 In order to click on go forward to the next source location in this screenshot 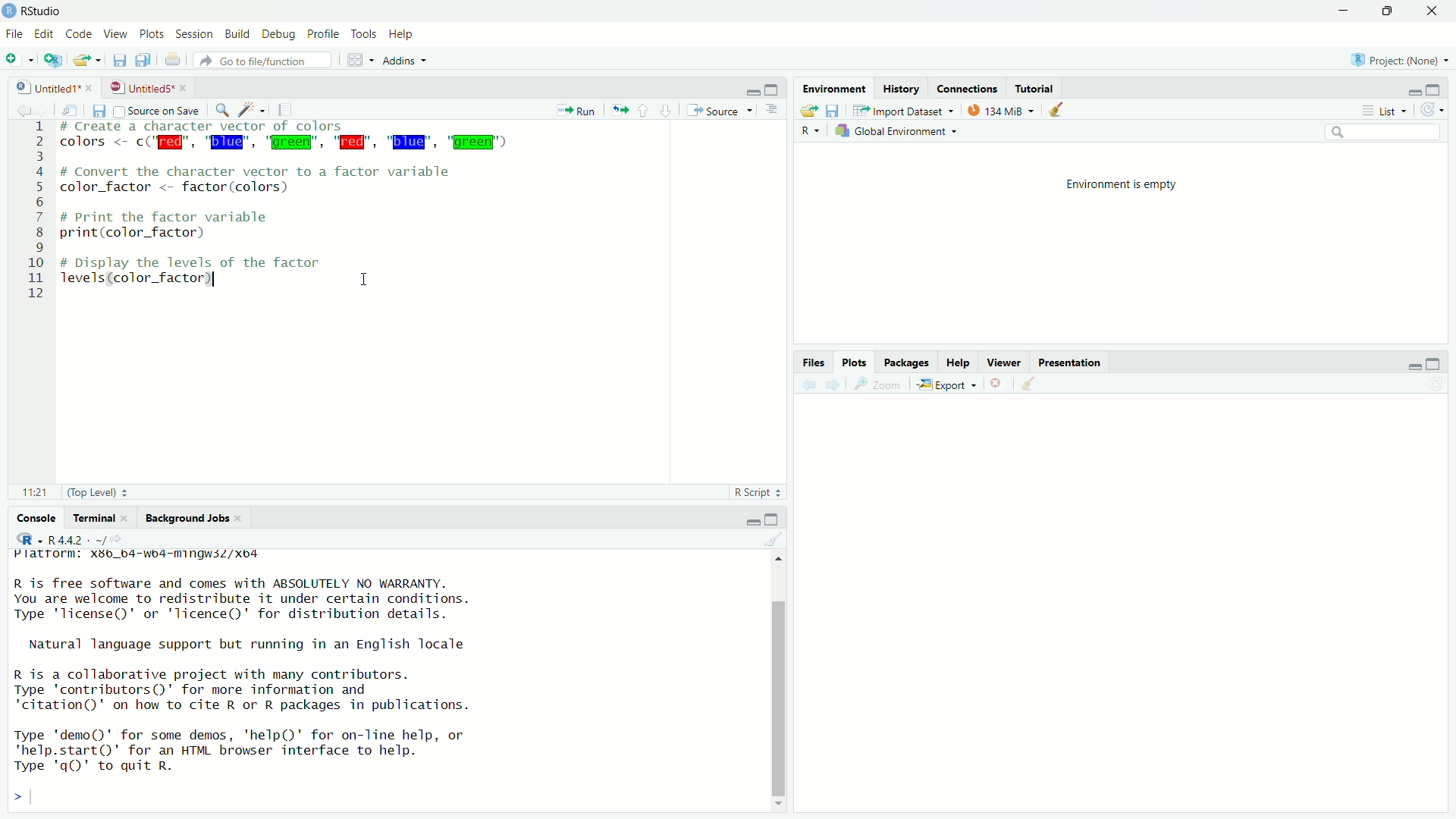, I will do `click(47, 110)`.